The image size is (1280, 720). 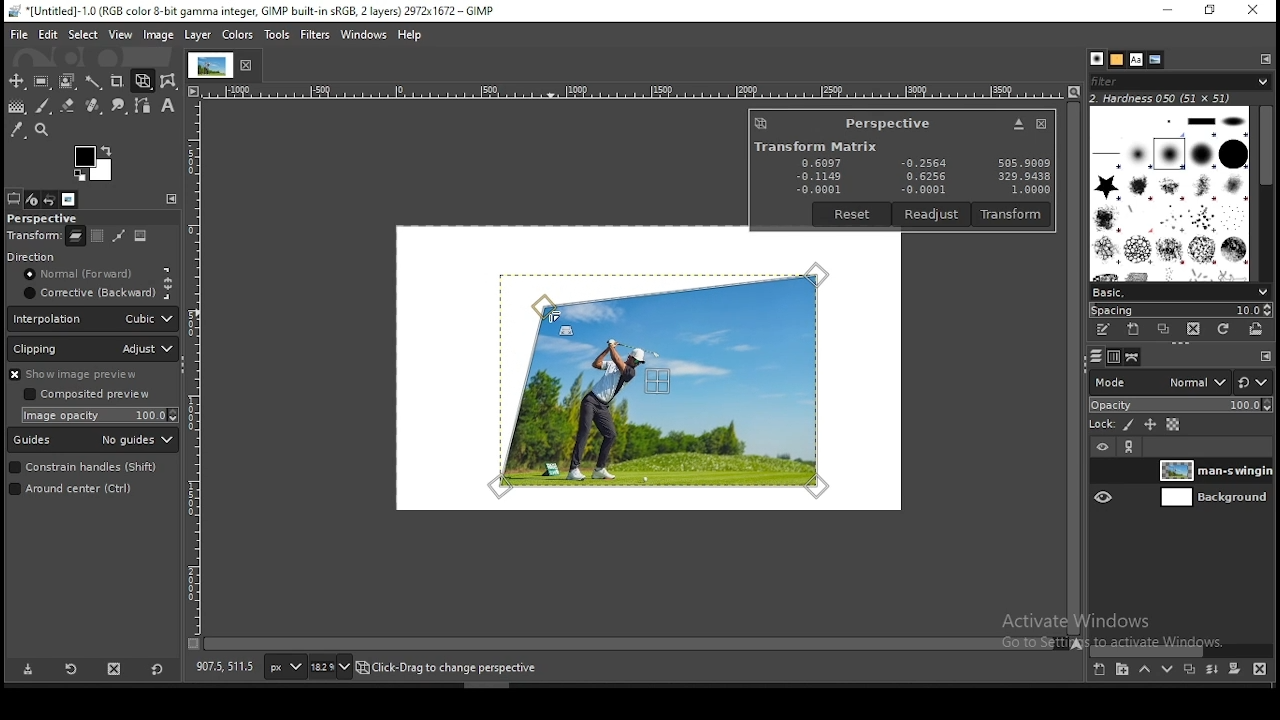 I want to click on readjust, so click(x=933, y=214).